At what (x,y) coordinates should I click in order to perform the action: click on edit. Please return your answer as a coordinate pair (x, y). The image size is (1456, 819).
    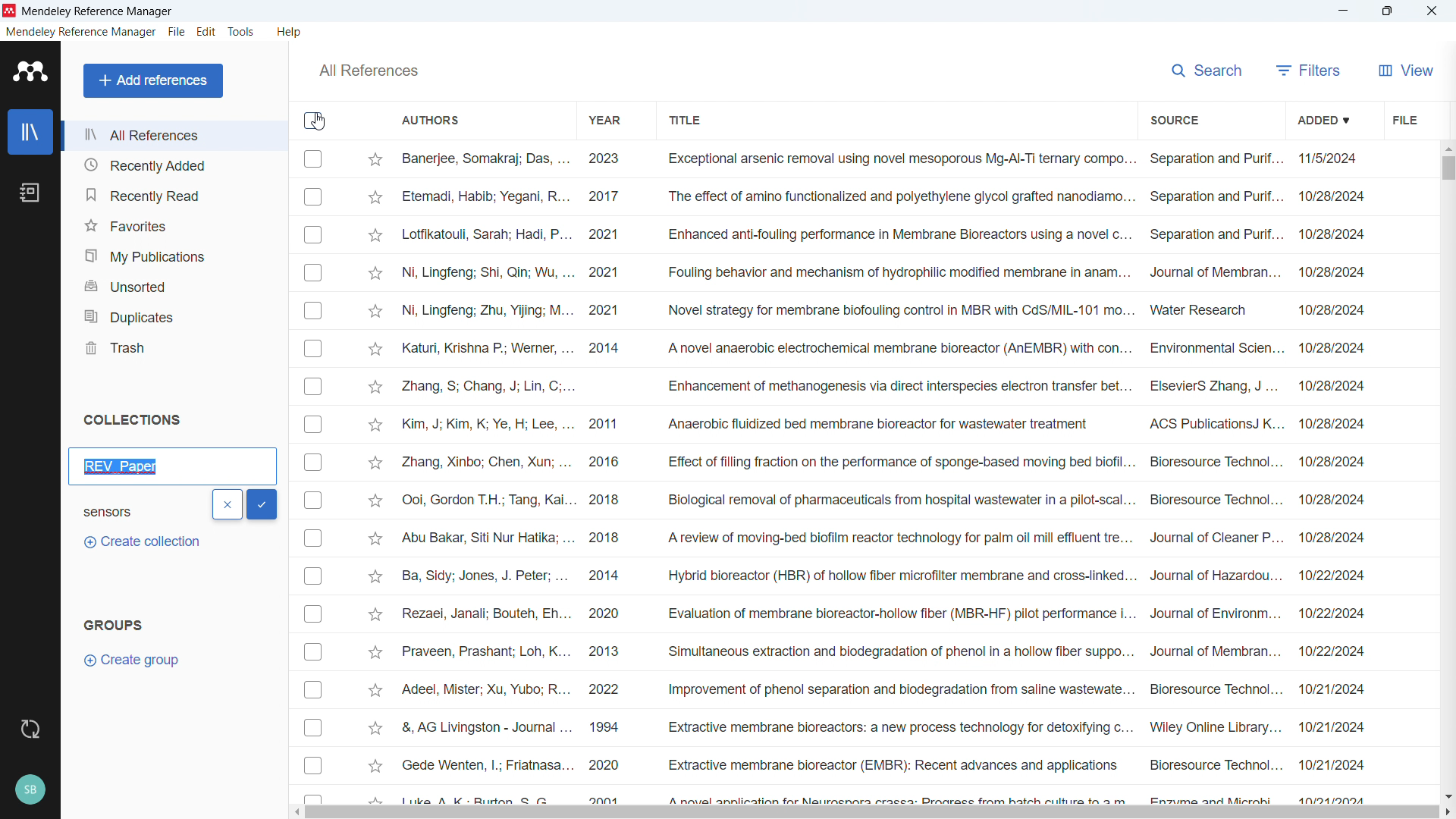
    Looking at the image, I should click on (206, 33).